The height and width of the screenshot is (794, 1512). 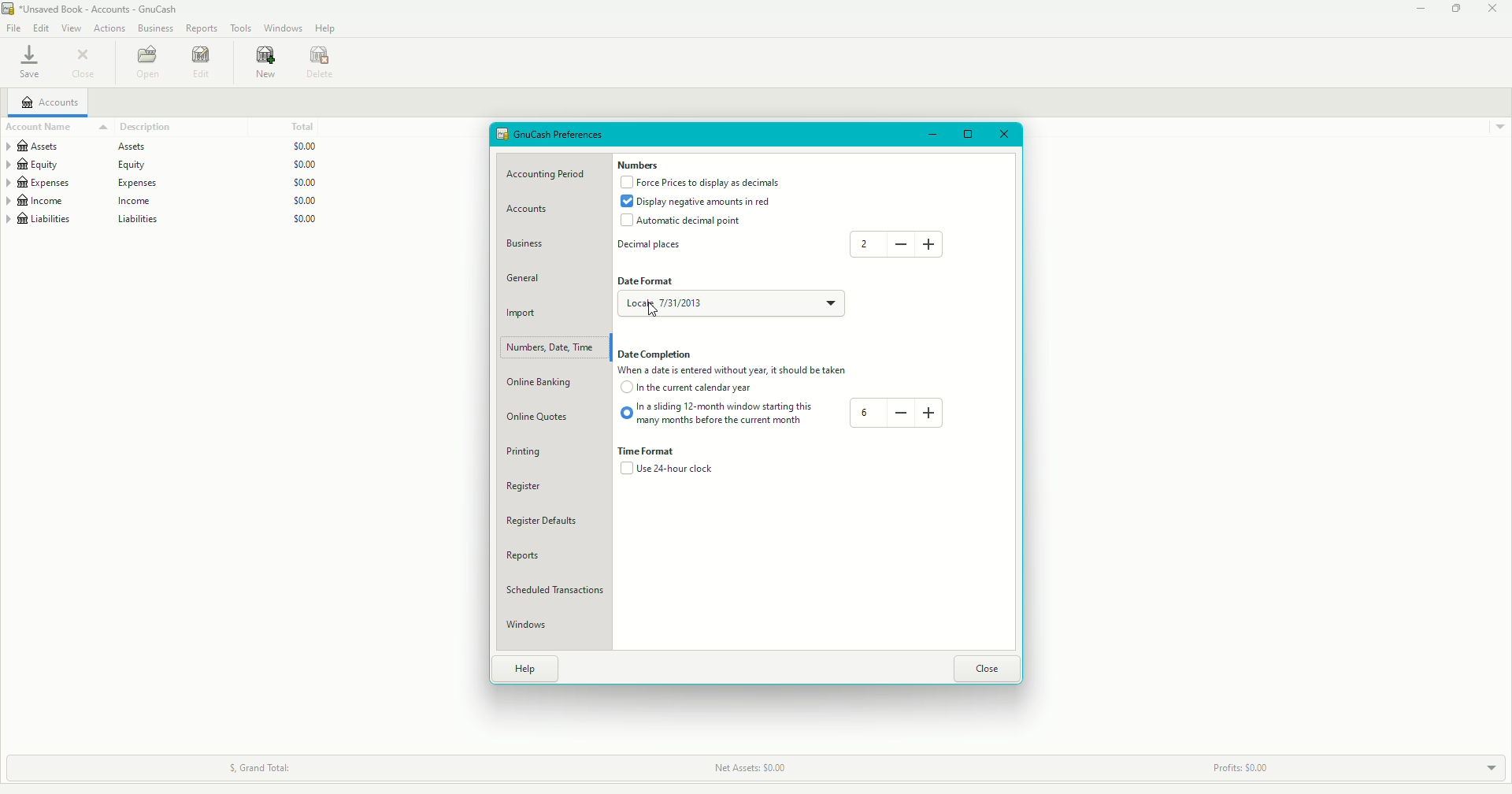 I want to click on Close, so click(x=1492, y=8).